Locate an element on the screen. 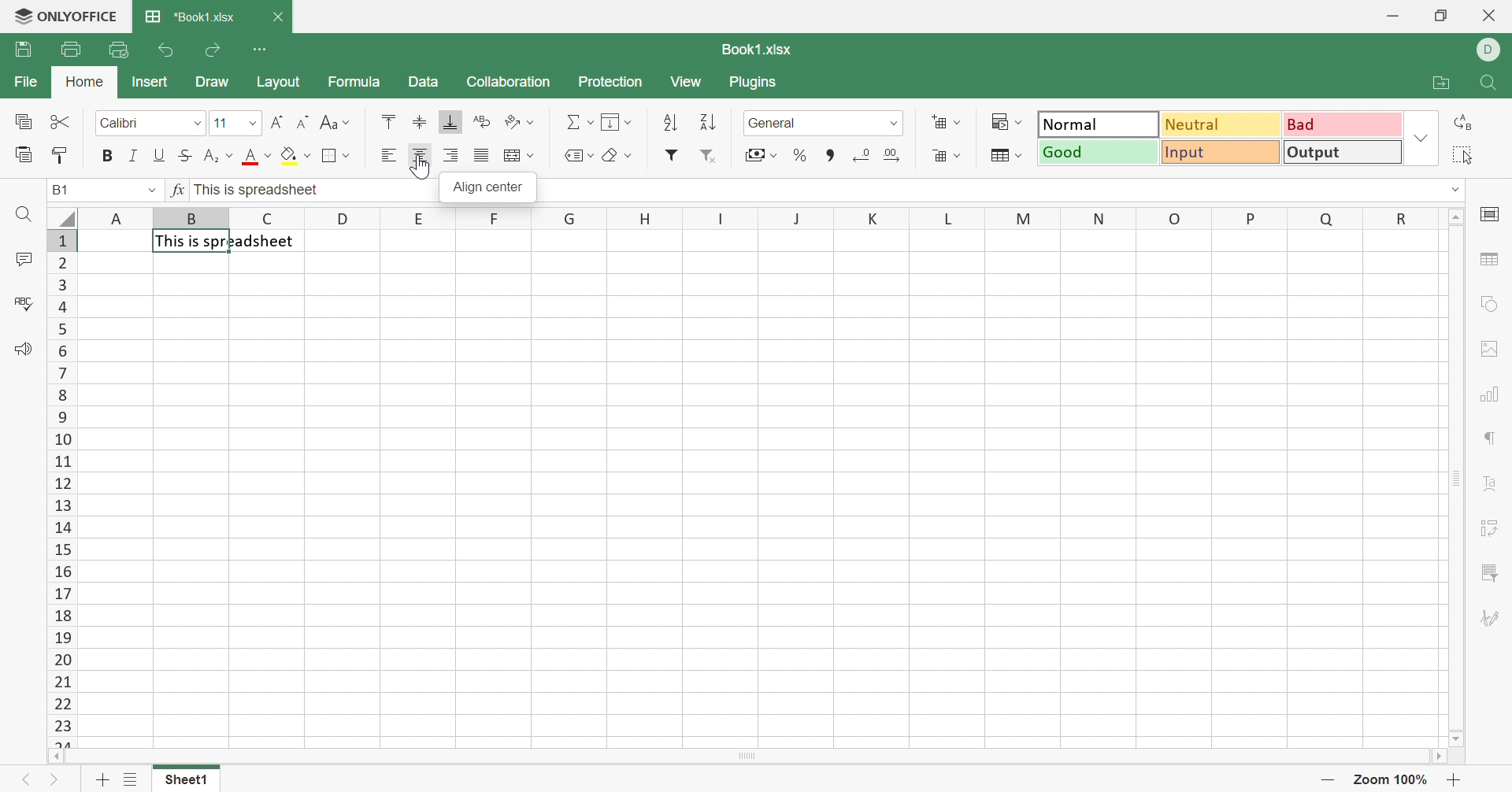 Image resolution: width=1512 pixels, height=792 pixels. Replace is located at coordinates (1462, 125).